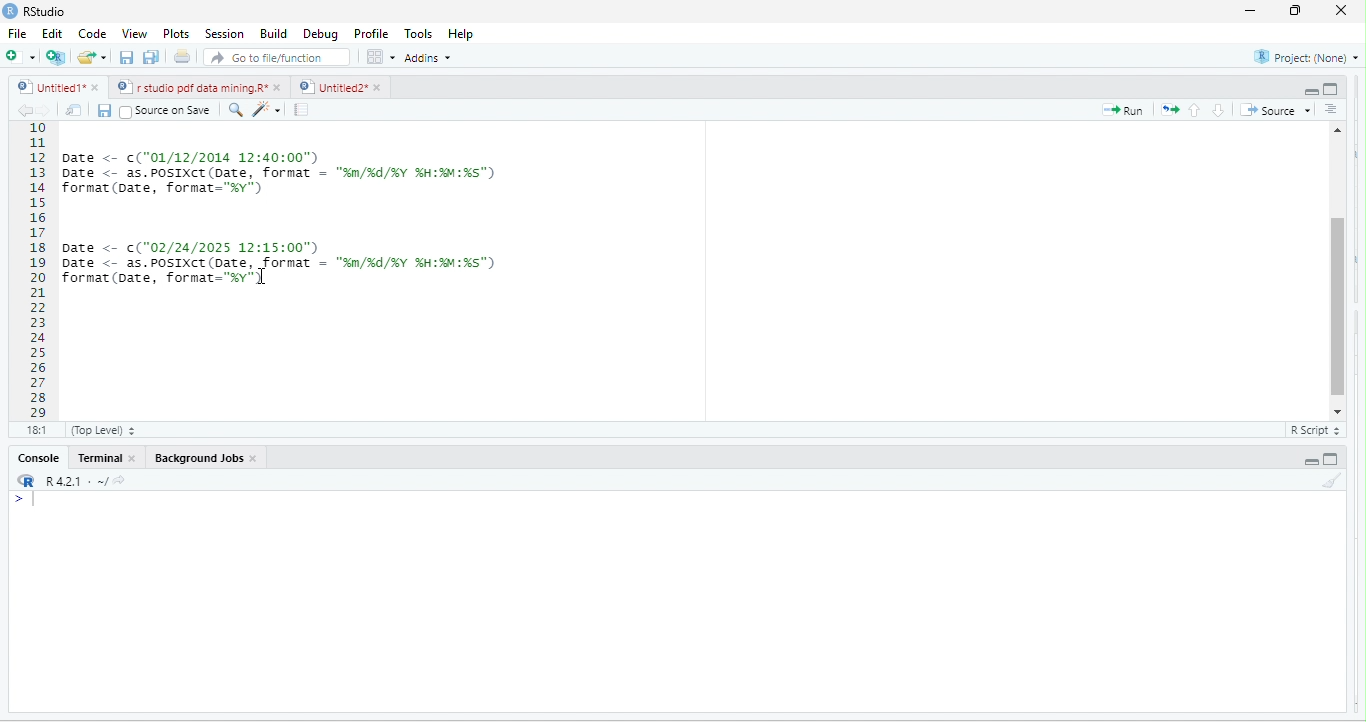 Image resolution: width=1366 pixels, height=722 pixels. I want to click on minimize, so click(1251, 12).